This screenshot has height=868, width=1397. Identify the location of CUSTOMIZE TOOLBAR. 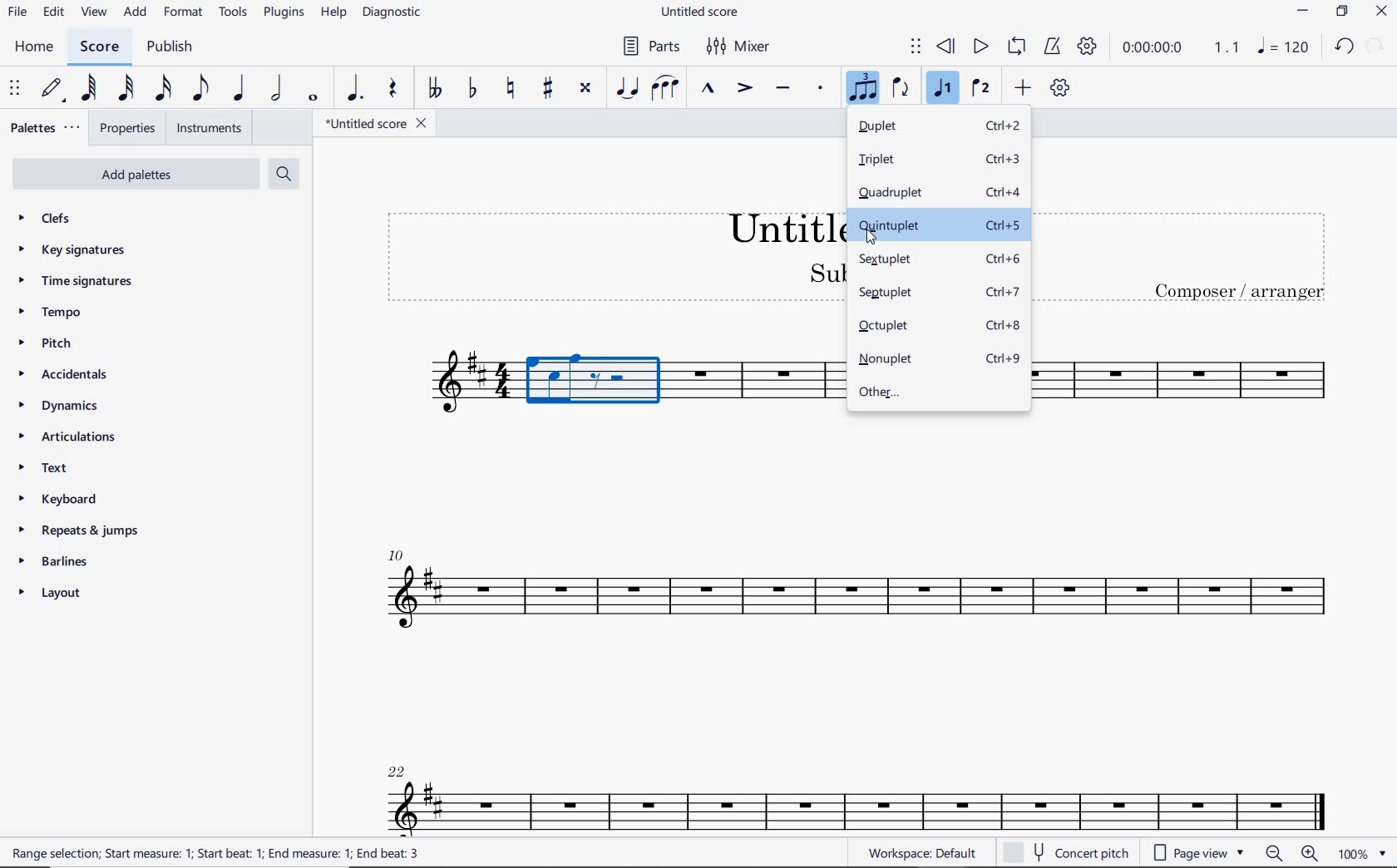
(1062, 89).